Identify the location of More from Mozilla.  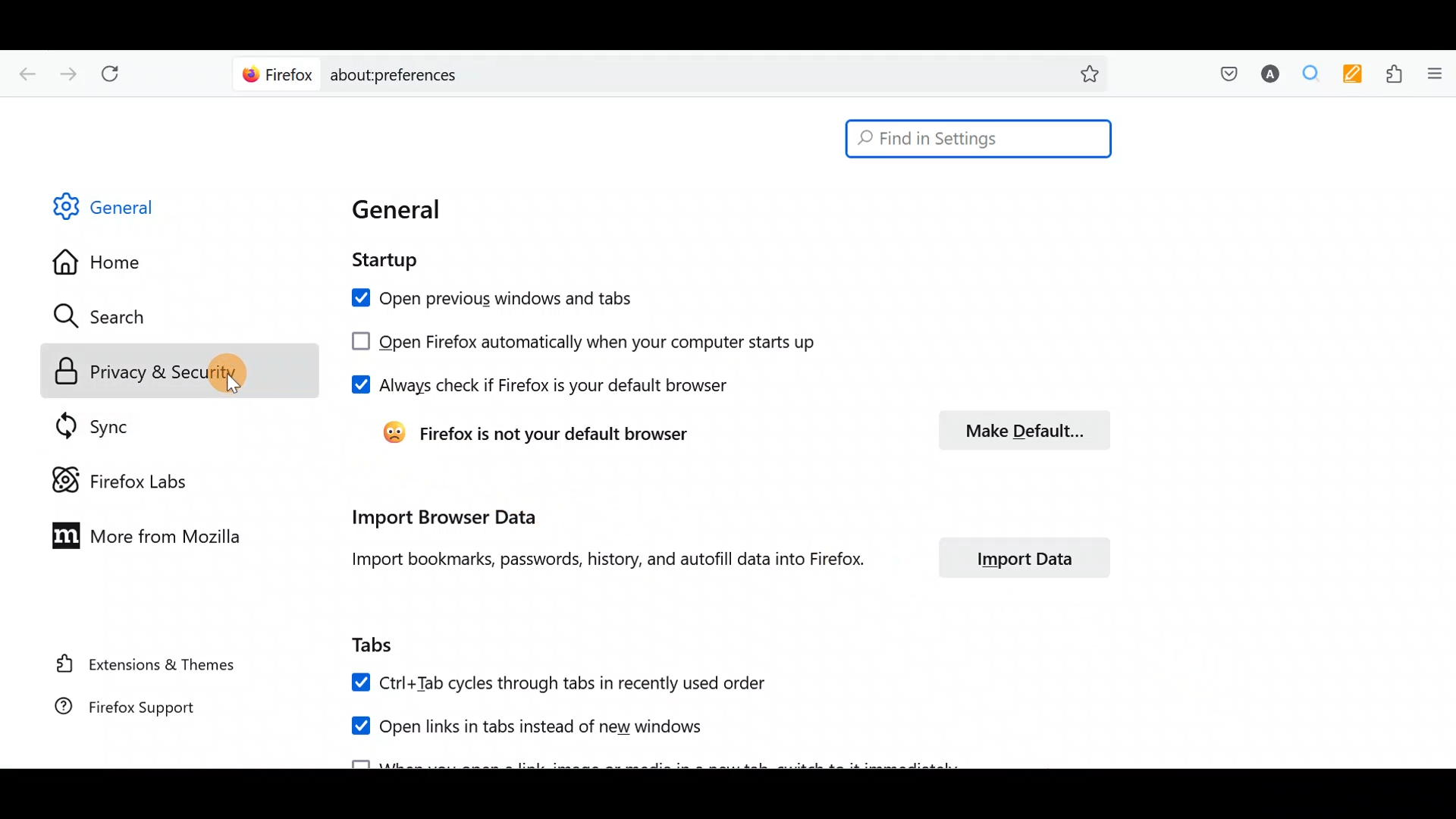
(139, 534).